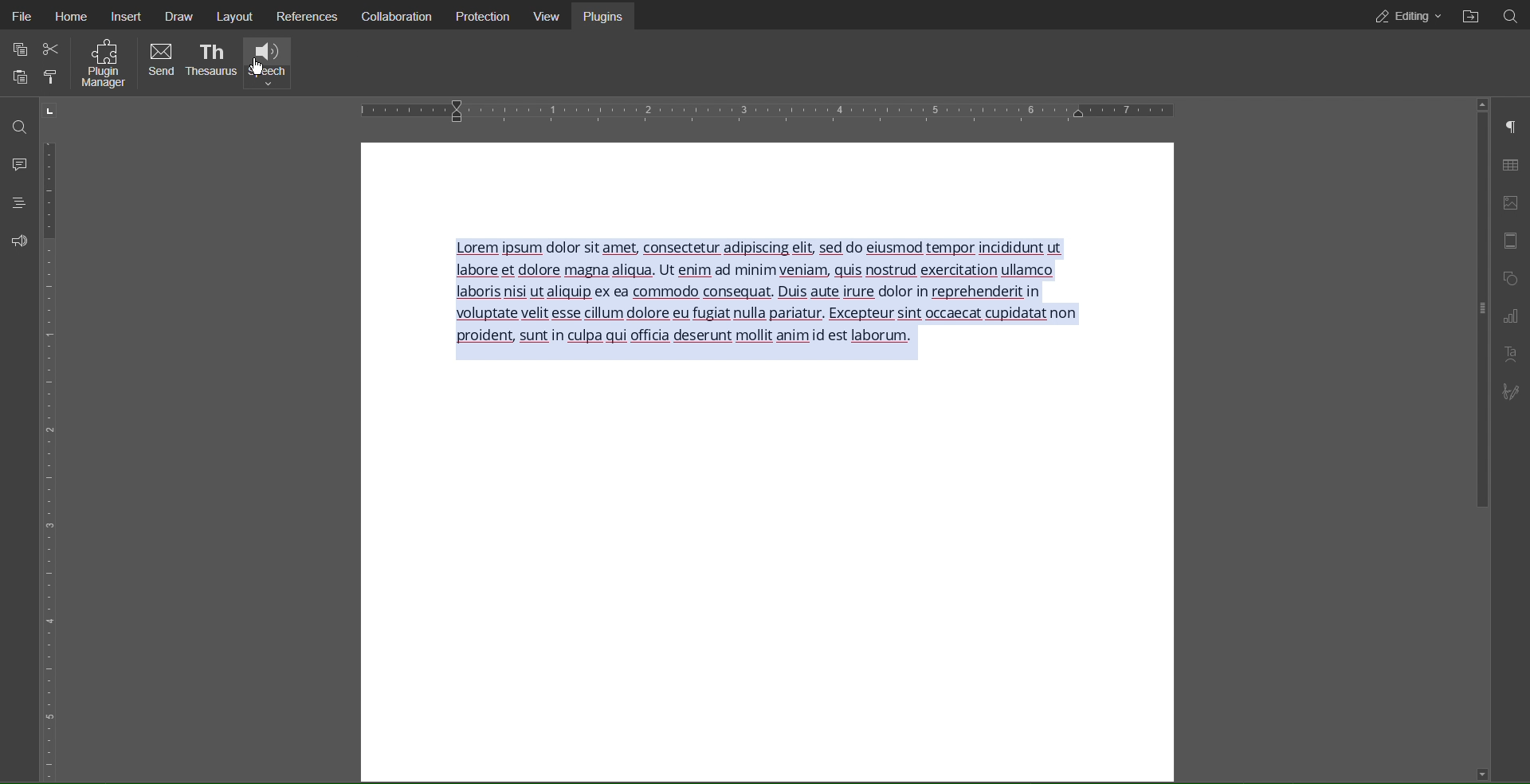 The image size is (1530, 784). What do you see at coordinates (1516, 17) in the screenshot?
I see `Search` at bounding box center [1516, 17].